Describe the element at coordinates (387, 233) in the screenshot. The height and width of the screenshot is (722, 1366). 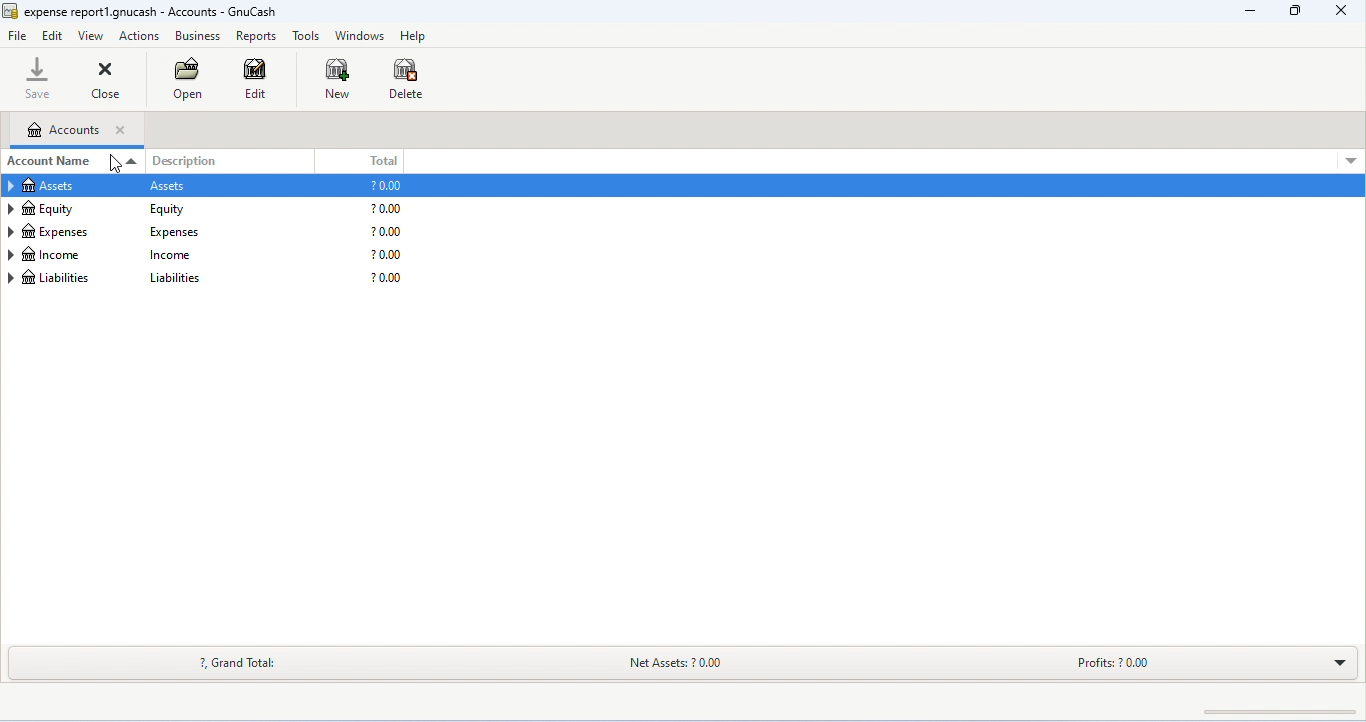
I see `expenses total` at that location.